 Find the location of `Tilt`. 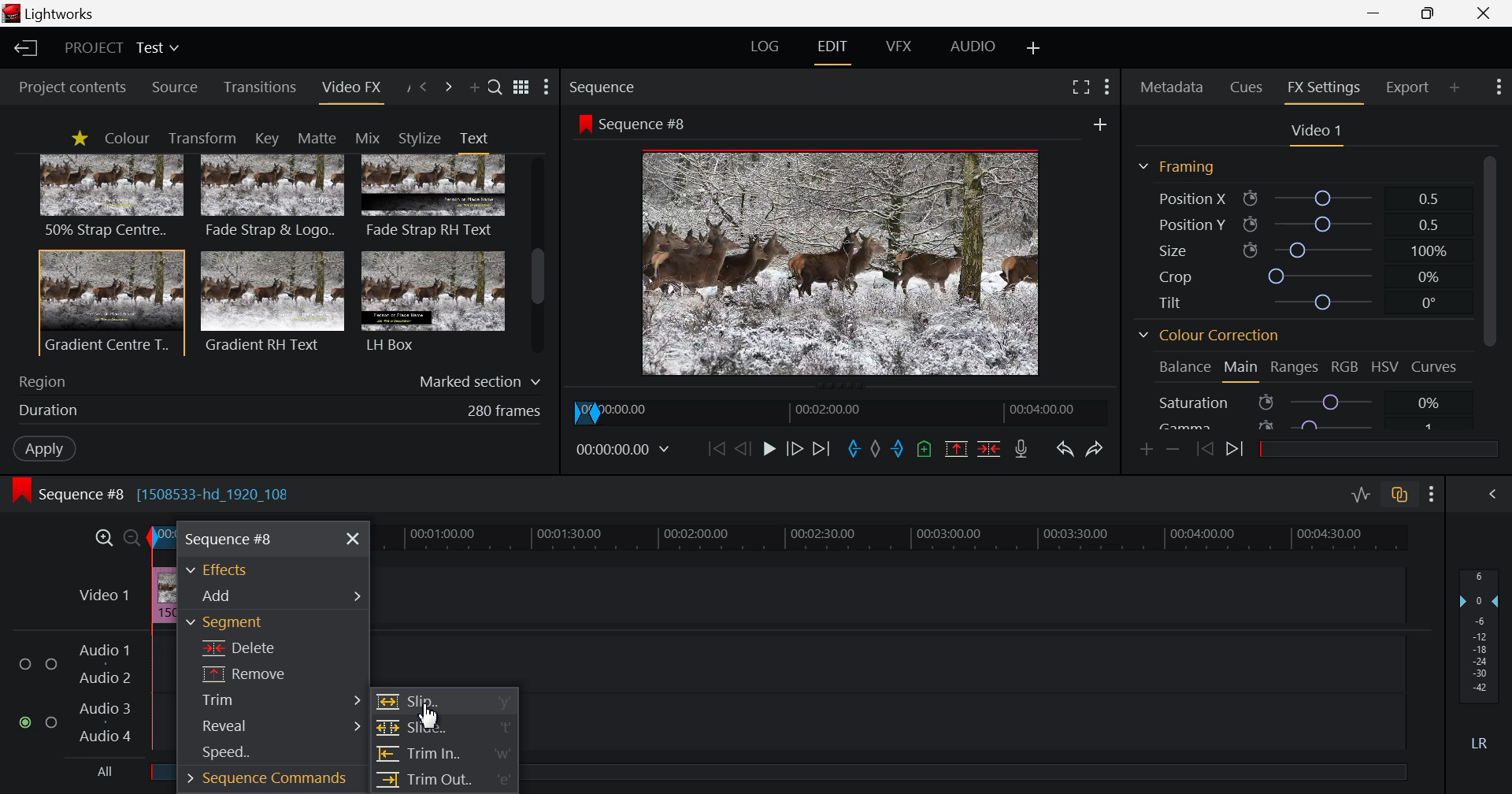

Tilt is located at coordinates (1304, 302).